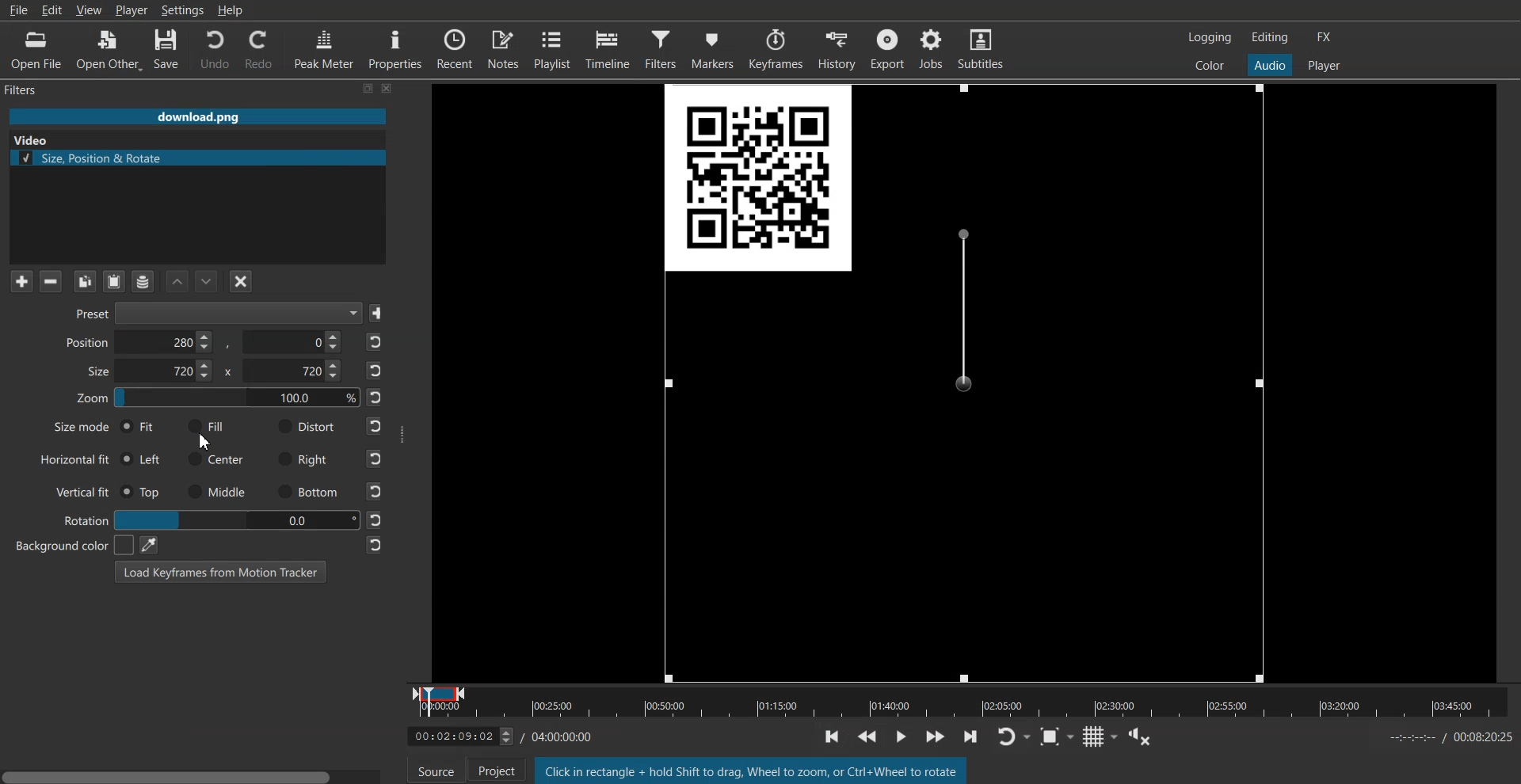 This screenshot has height=784, width=1521. What do you see at coordinates (554, 48) in the screenshot?
I see `Playlist` at bounding box center [554, 48].